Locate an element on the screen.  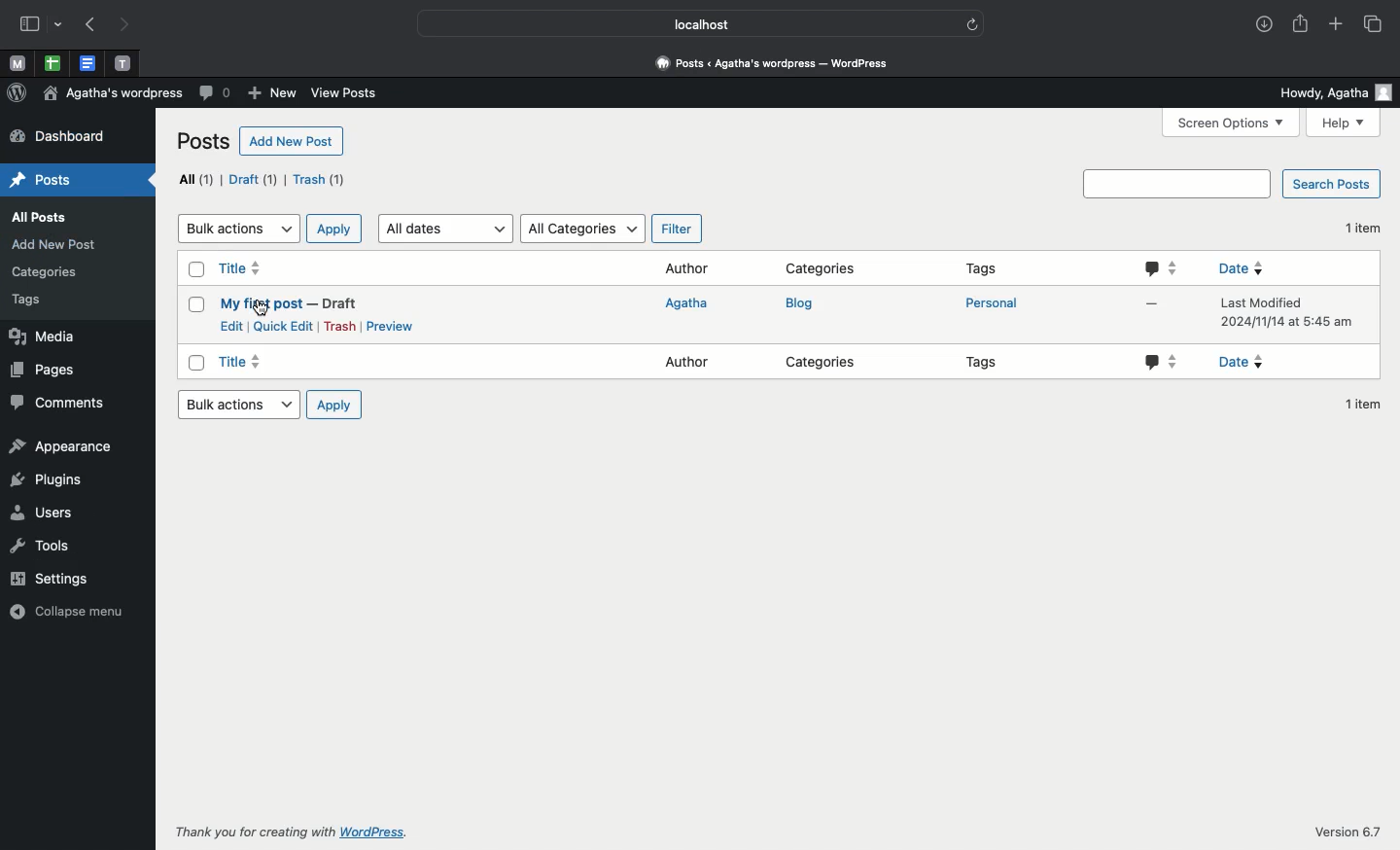
Search posts is located at coordinates (1331, 184).